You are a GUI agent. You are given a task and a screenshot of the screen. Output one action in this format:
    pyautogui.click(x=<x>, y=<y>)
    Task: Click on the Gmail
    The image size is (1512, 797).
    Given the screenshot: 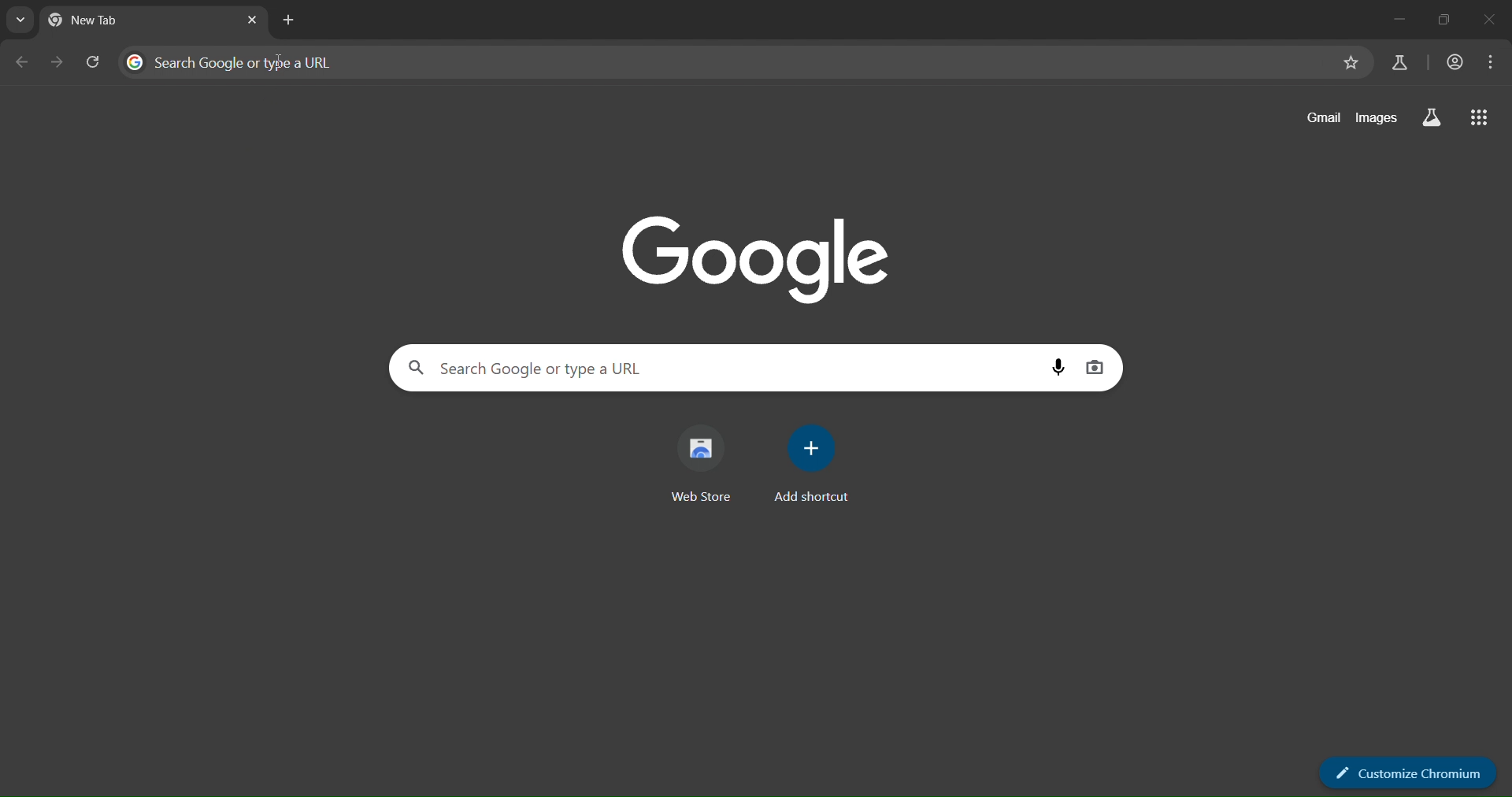 What is the action you would take?
    pyautogui.click(x=1317, y=118)
    